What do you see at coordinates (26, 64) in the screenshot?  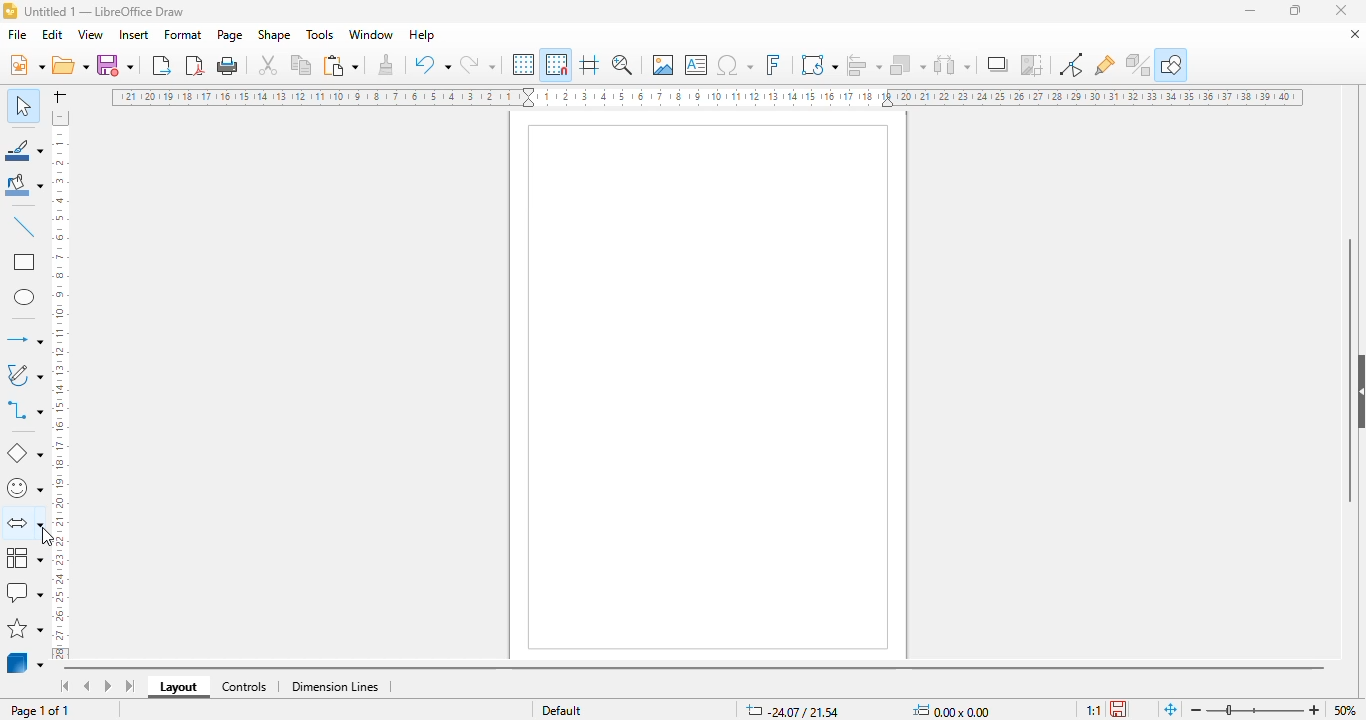 I see `new` at bounding box center [26, 64].